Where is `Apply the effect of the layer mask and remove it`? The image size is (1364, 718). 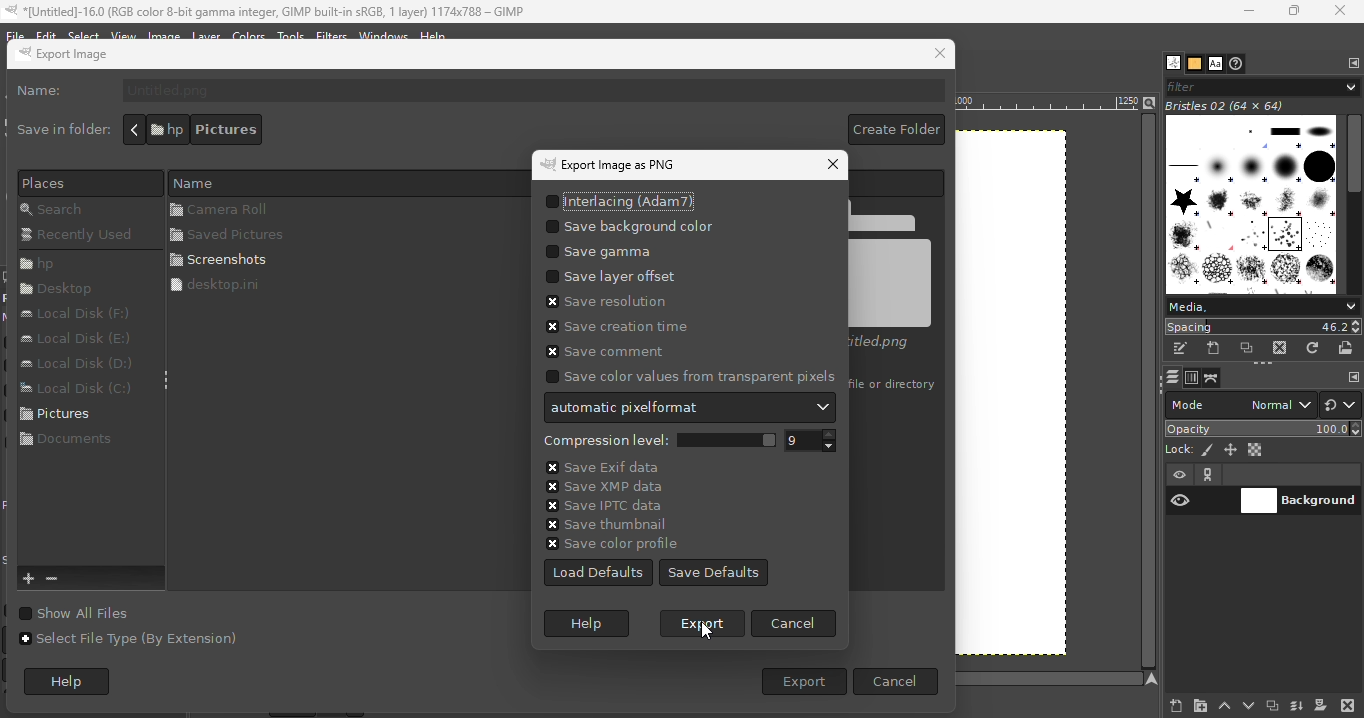
Apply the effect of the layer mask and remove it is located at coordinates (1320, 707).